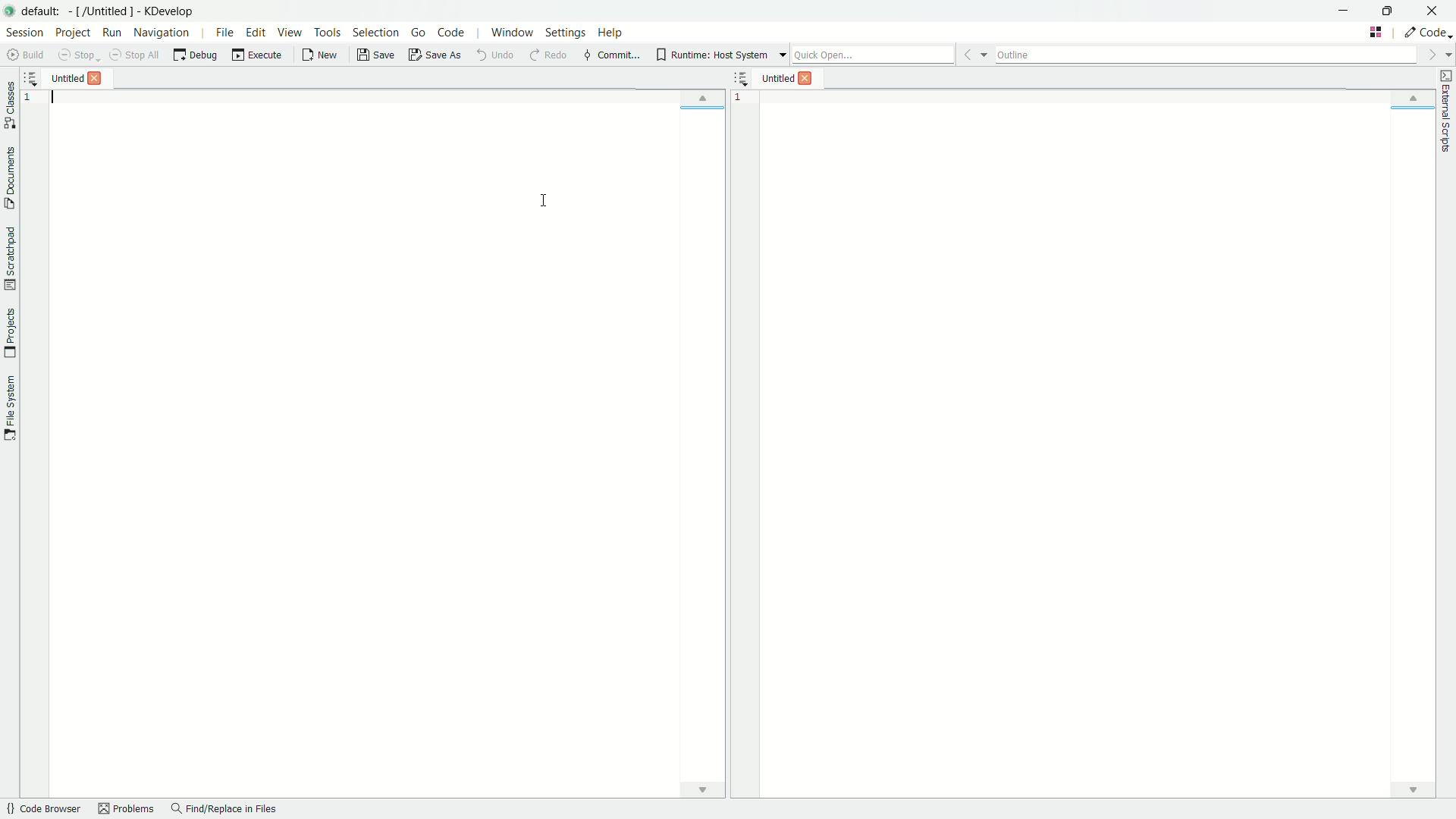  I want to click on default, so click(44, 11).